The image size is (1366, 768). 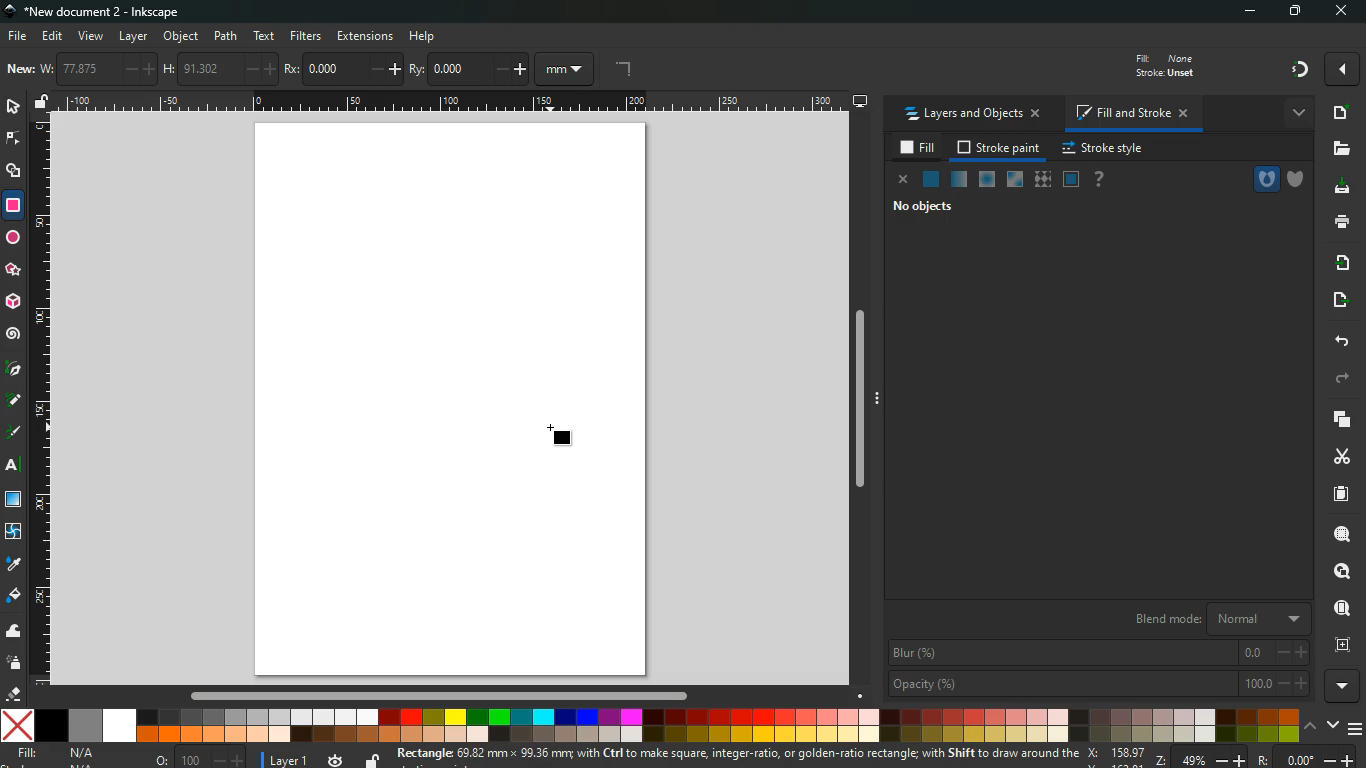 I want to click on spiral, so click(x=15, y=335).